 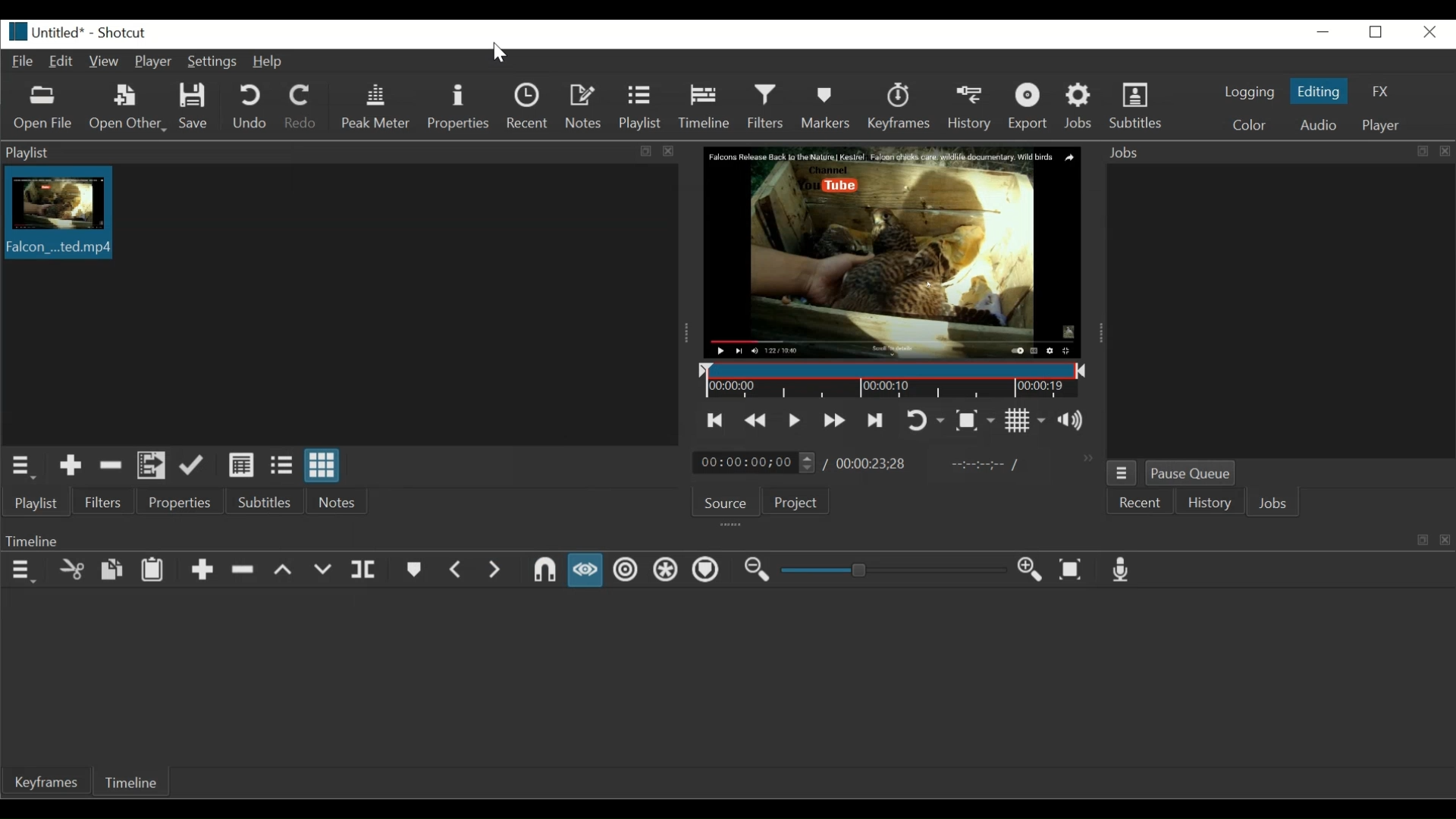 What do you see at coordinates (1382, 91) in the screenshot?
I see `FX` at bounding box center [1382, 91].